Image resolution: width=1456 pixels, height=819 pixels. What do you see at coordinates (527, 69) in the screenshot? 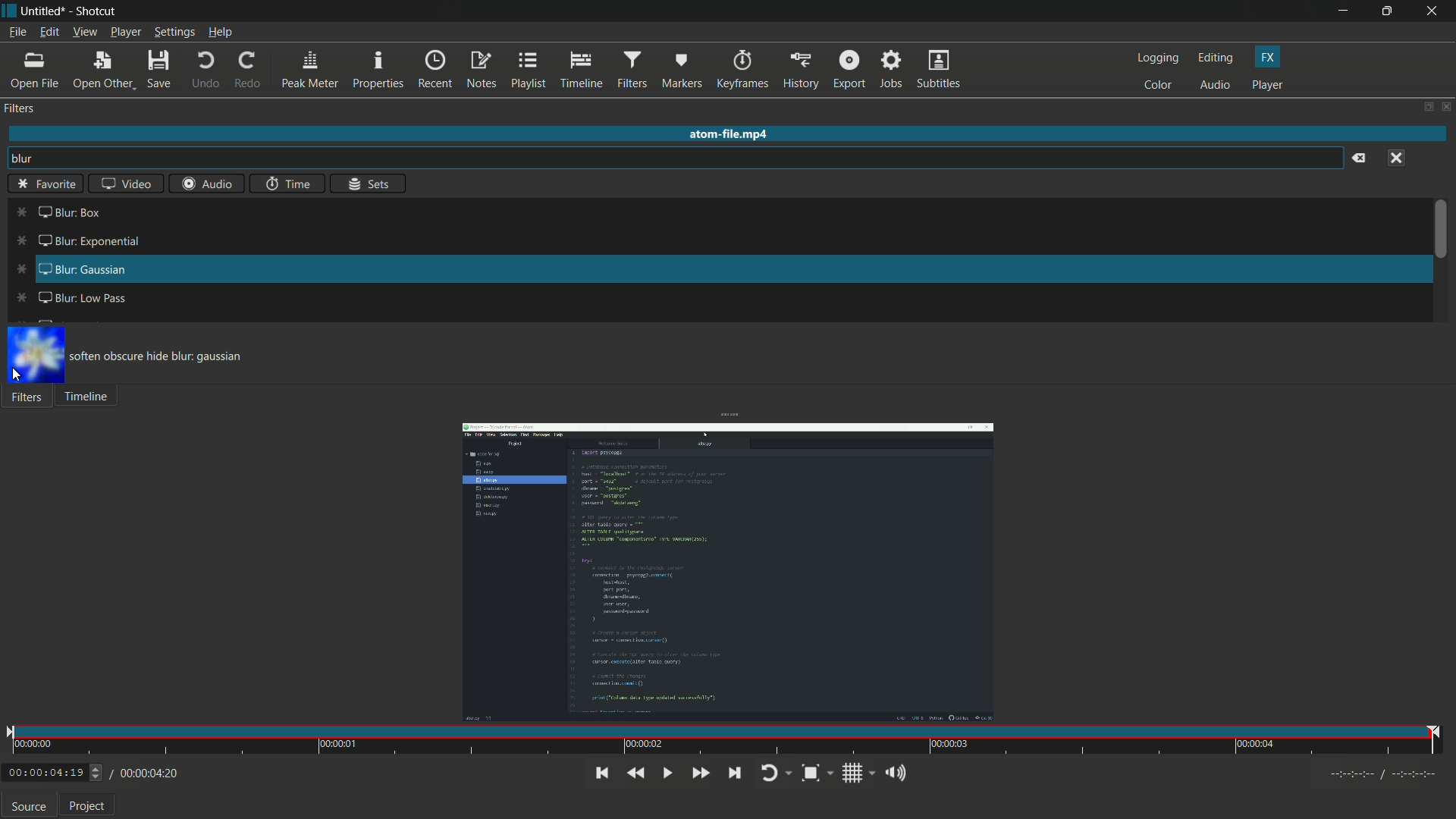
I see `playlist` at bounding box center [527, 69].